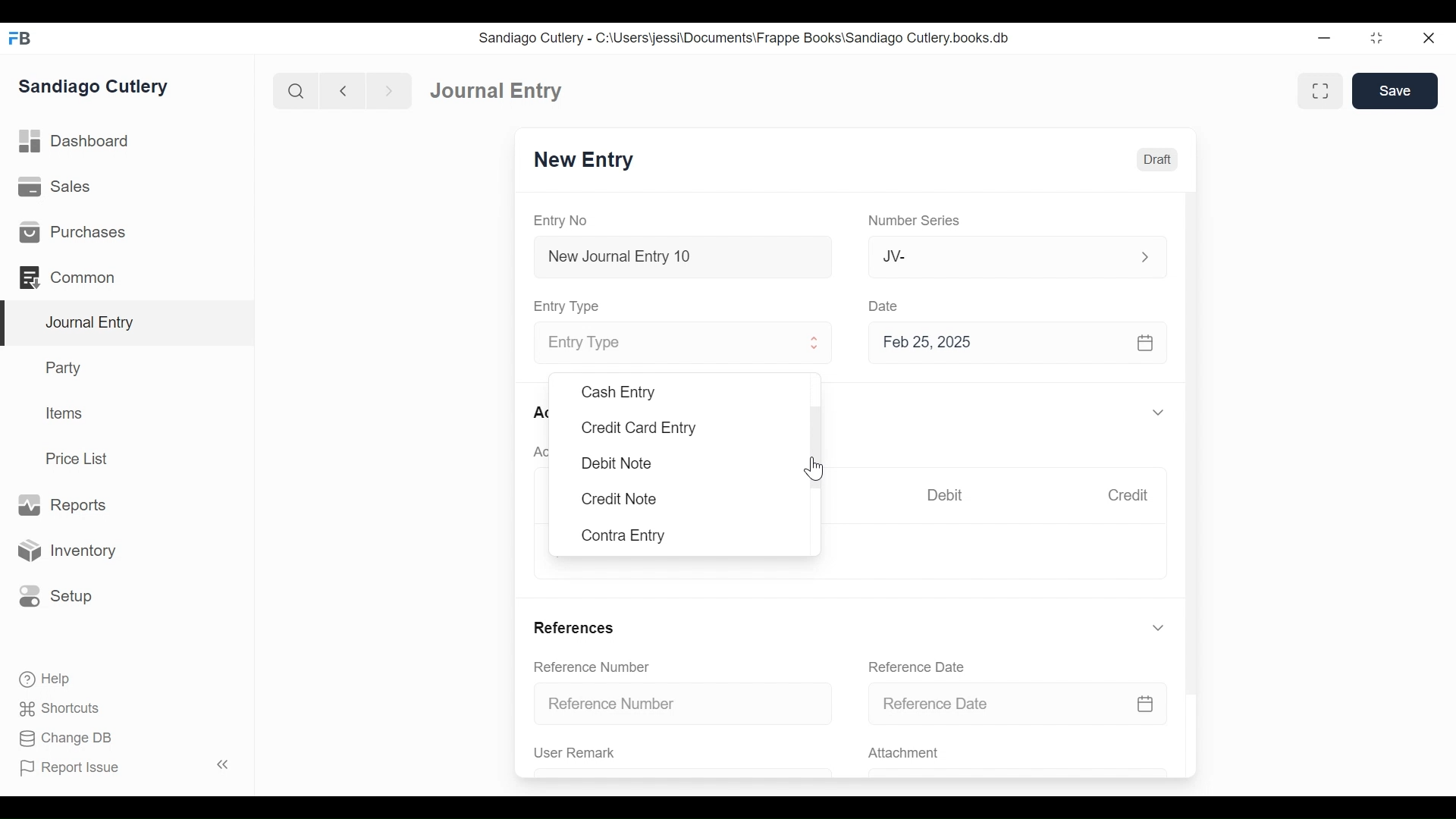 This screenshot has height=819, width=1456. Describe the element at coordinates (1427, 39) in the screenshot. I see `Close` at that location.